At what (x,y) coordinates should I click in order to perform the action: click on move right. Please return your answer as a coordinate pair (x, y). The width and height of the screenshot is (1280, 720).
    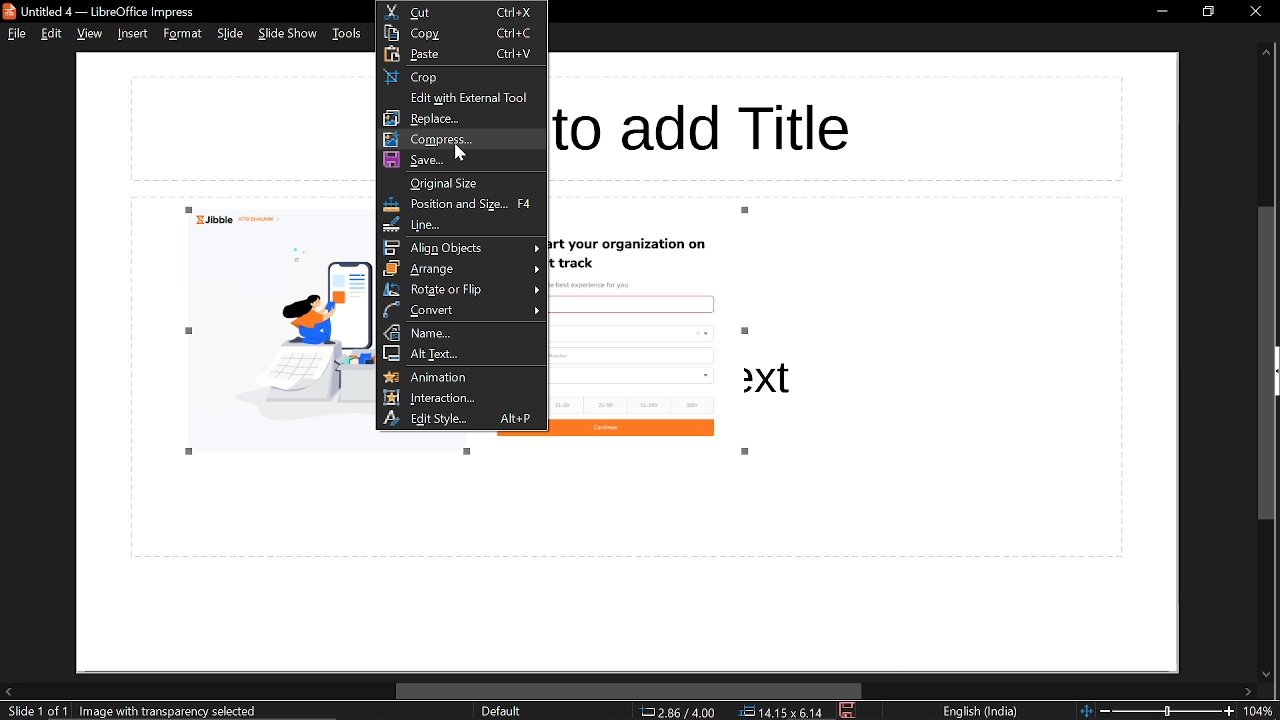
    Looking at the image, I should click on (1248, 693).